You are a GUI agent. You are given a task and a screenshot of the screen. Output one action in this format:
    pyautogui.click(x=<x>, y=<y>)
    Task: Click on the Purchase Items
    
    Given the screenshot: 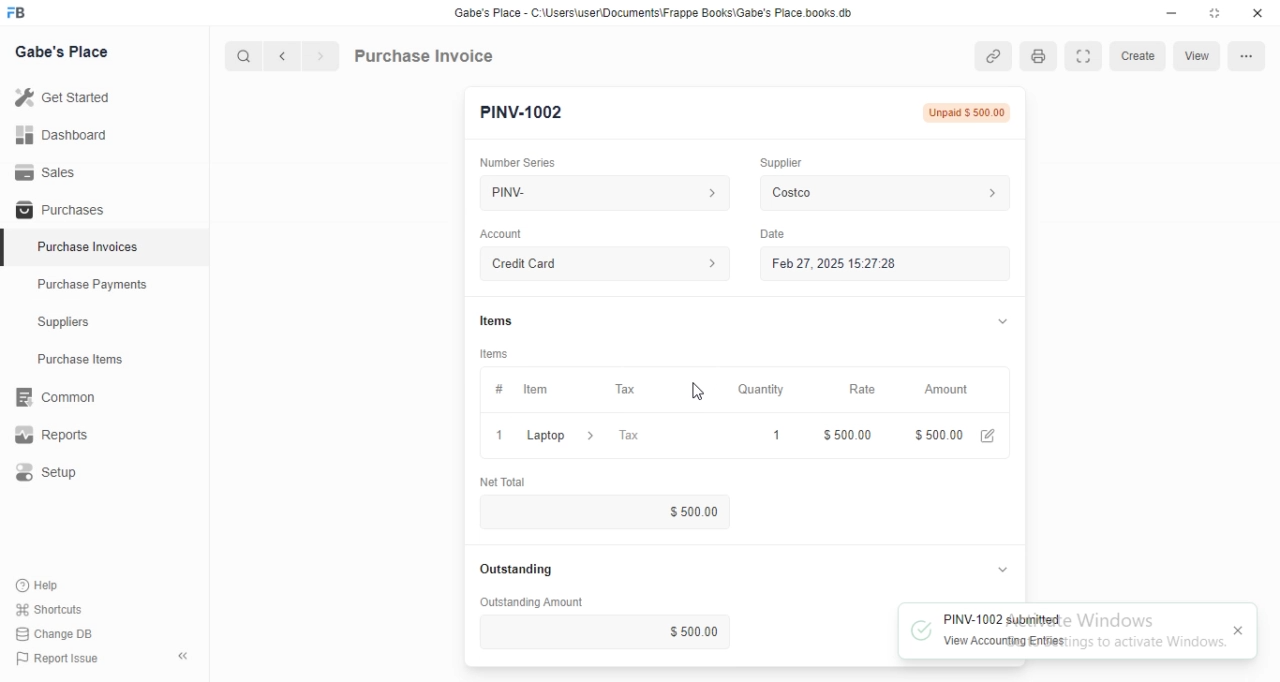 What is the action you would take?
    pyautogui.click(x=105, y=359)
    